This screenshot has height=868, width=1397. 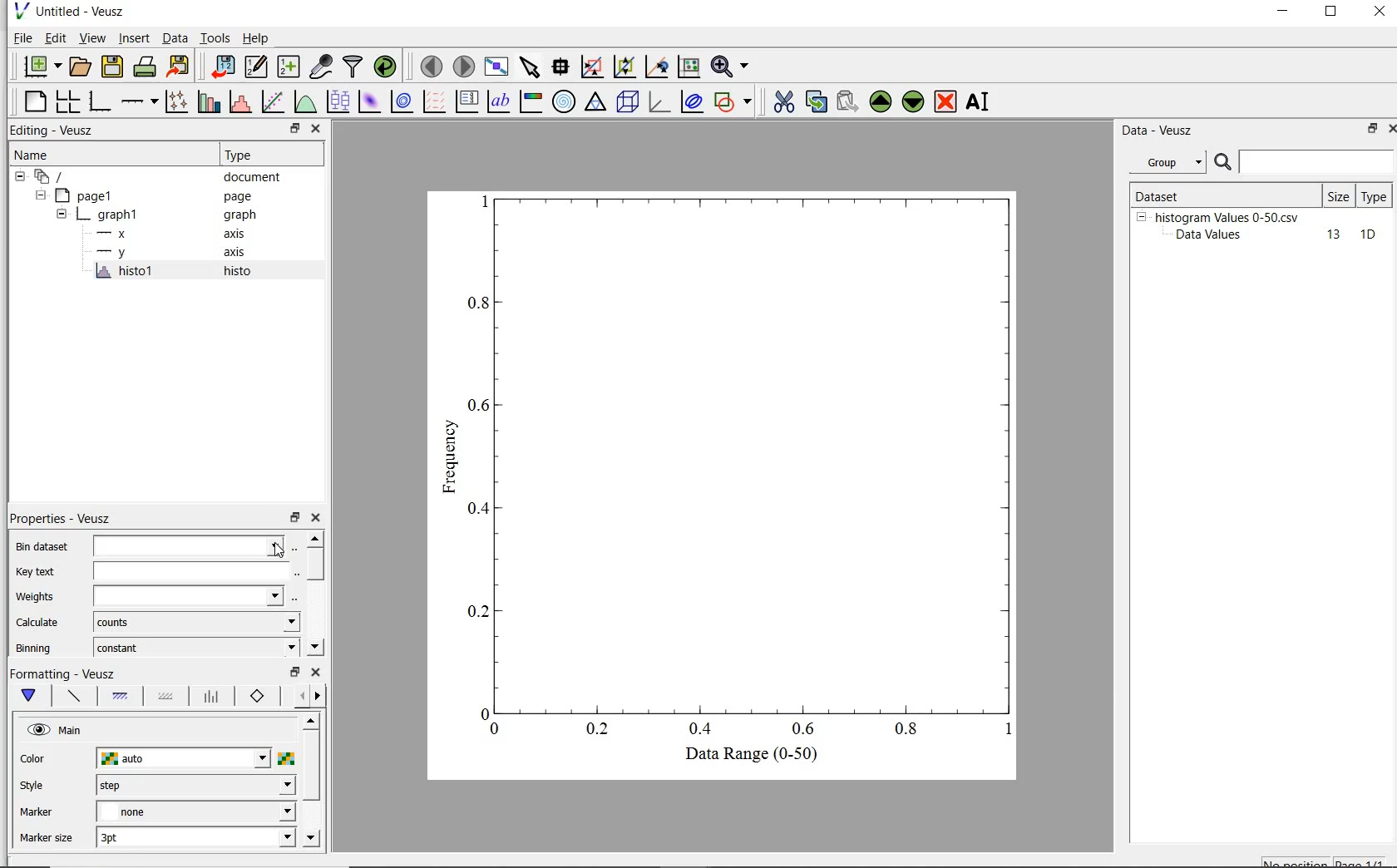 I want to click on new document, so click(x=41, y=66).